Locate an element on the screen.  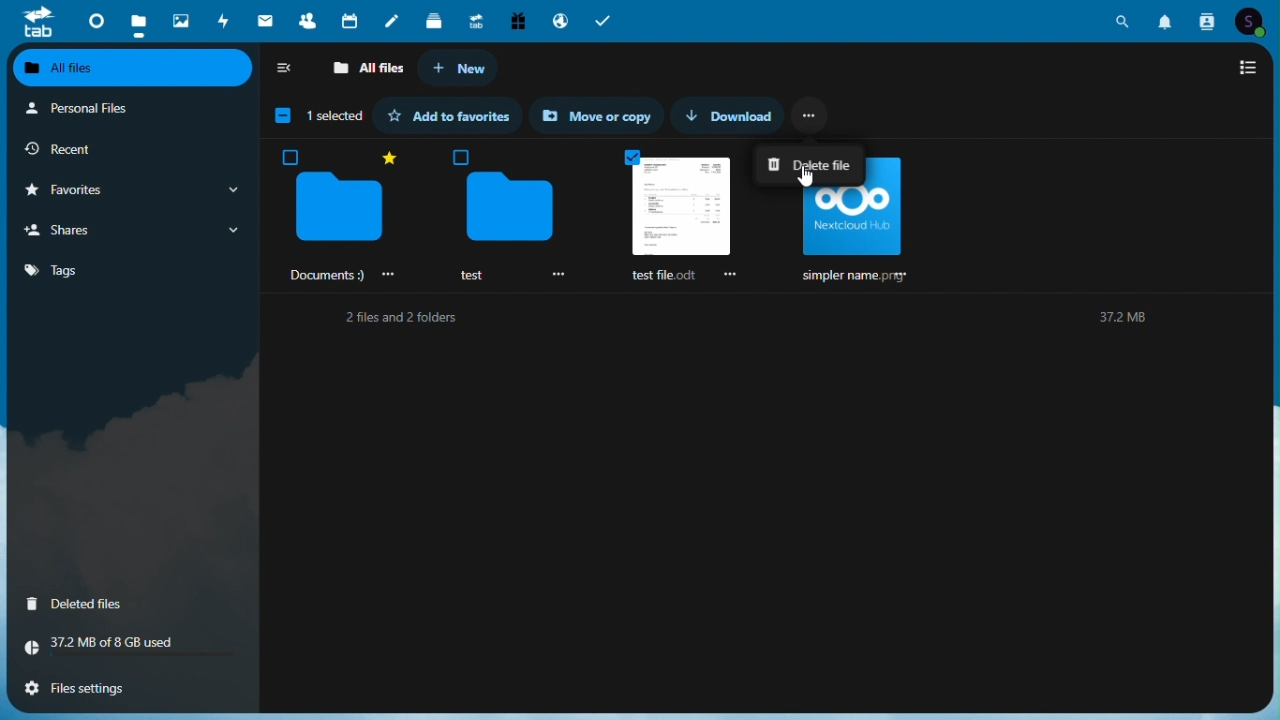
Collap side bar is located at coordinates (286, 71).